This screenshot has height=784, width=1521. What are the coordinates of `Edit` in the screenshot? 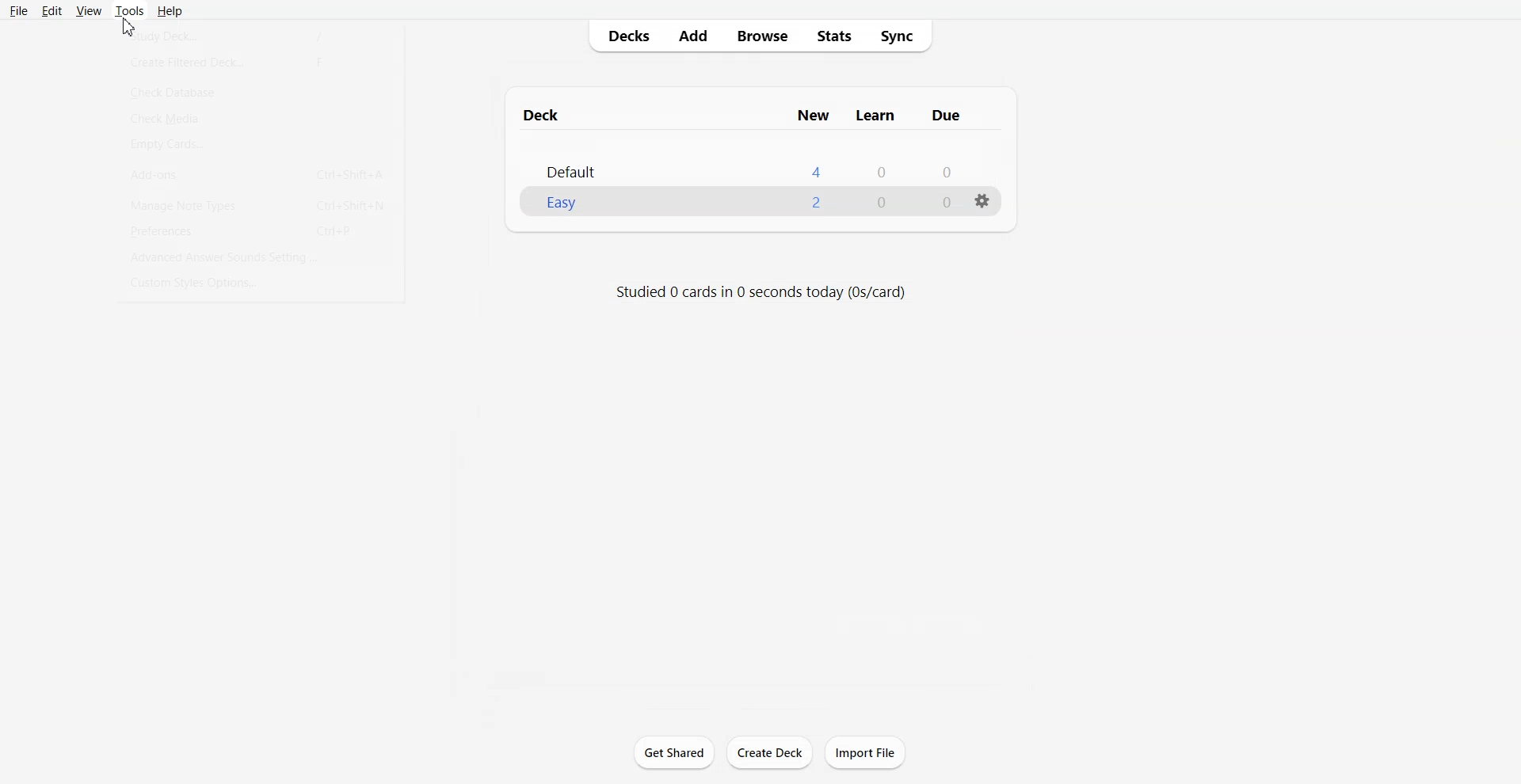 It's located at (53, 11).